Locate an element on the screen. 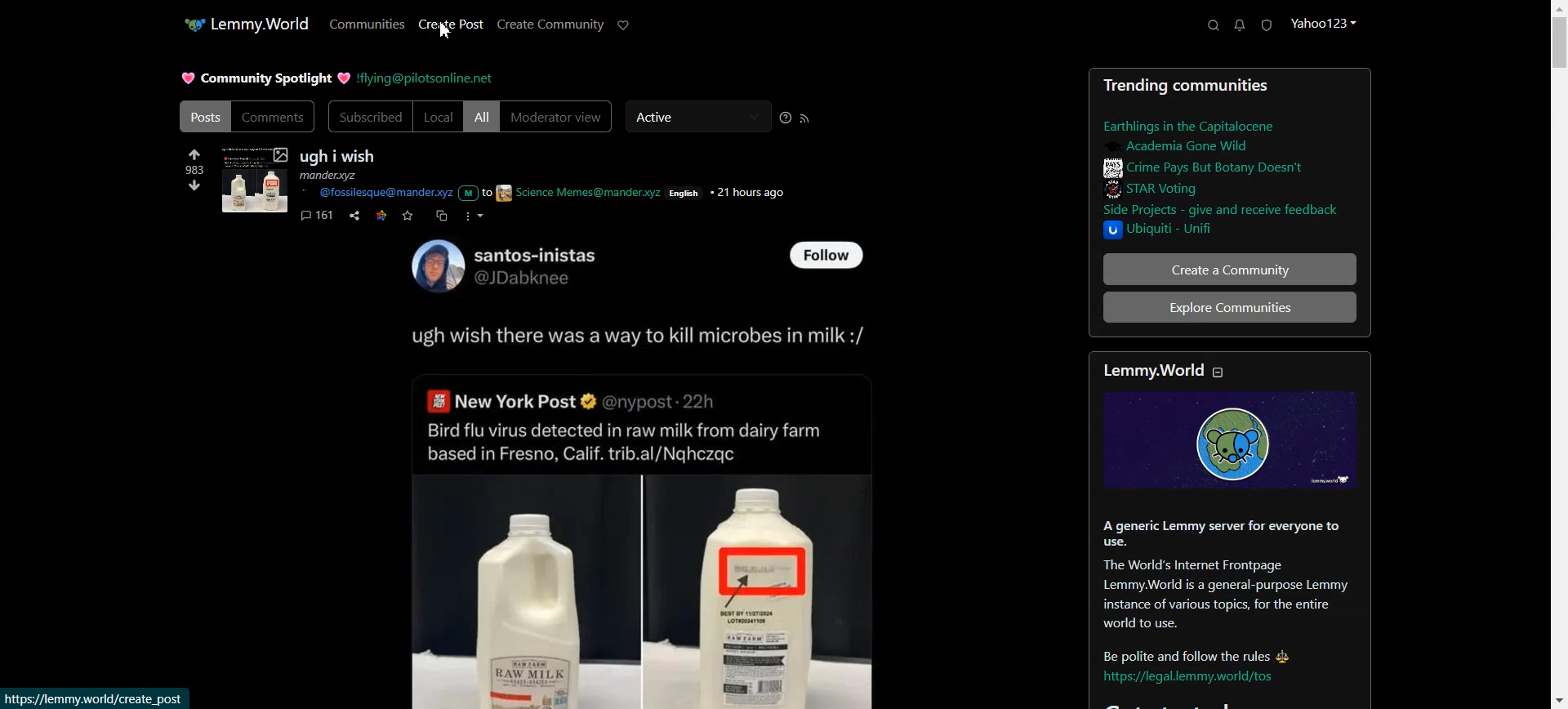 This screenshot has width=1568, height=709. Comments is located at coordinates (277, 116).